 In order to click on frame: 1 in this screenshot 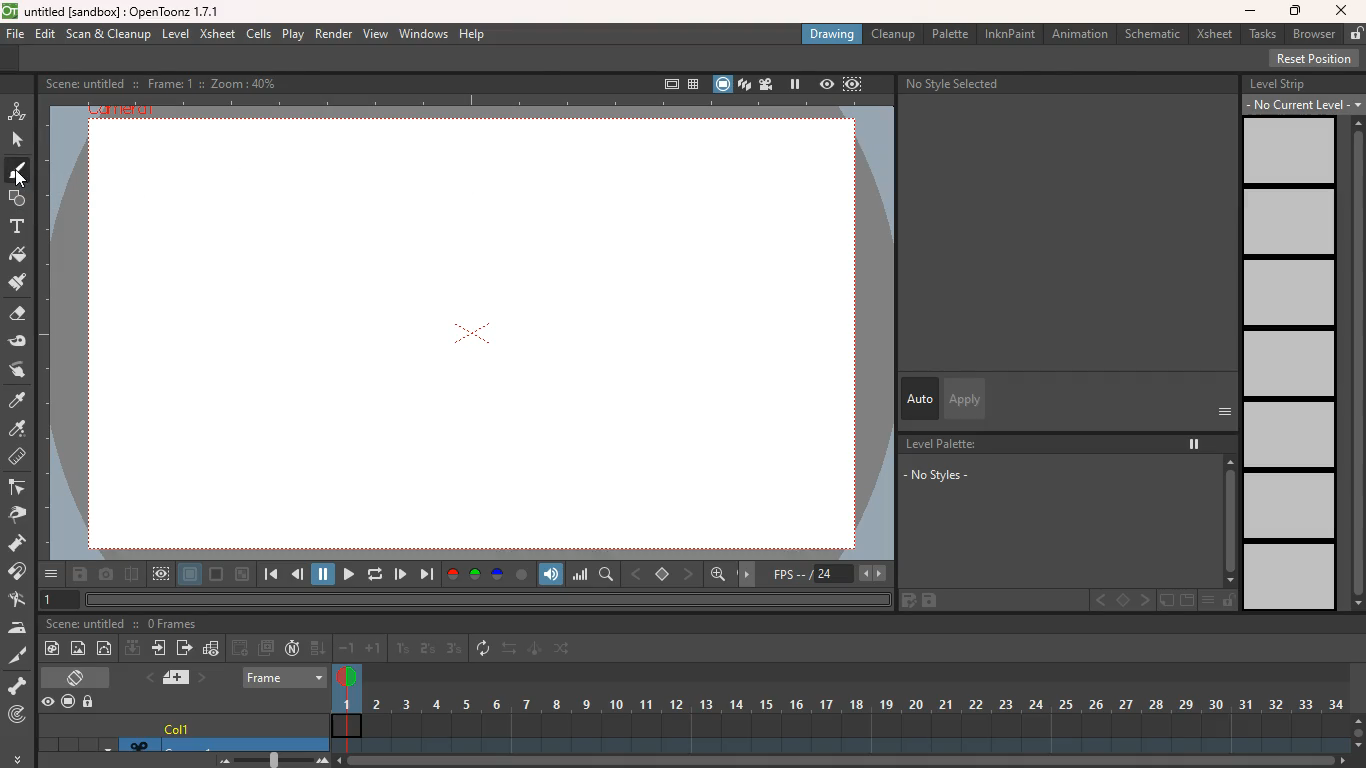, I will do `click(168, 83)`.